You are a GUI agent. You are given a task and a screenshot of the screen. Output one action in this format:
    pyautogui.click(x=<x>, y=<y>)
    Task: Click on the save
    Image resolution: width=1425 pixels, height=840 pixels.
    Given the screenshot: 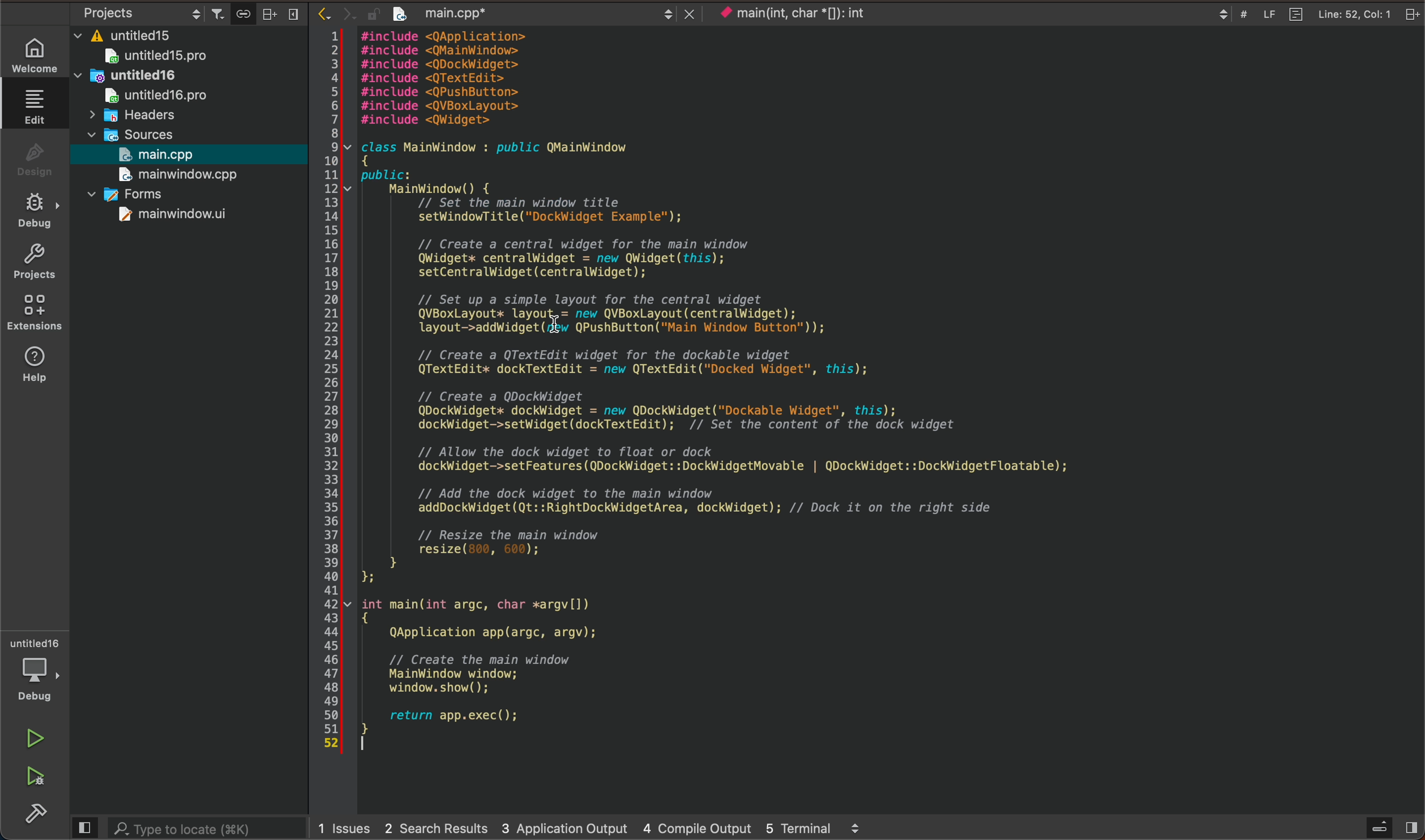 What is the action you would take?
    pyautogui.click(x=243, y=12)
    